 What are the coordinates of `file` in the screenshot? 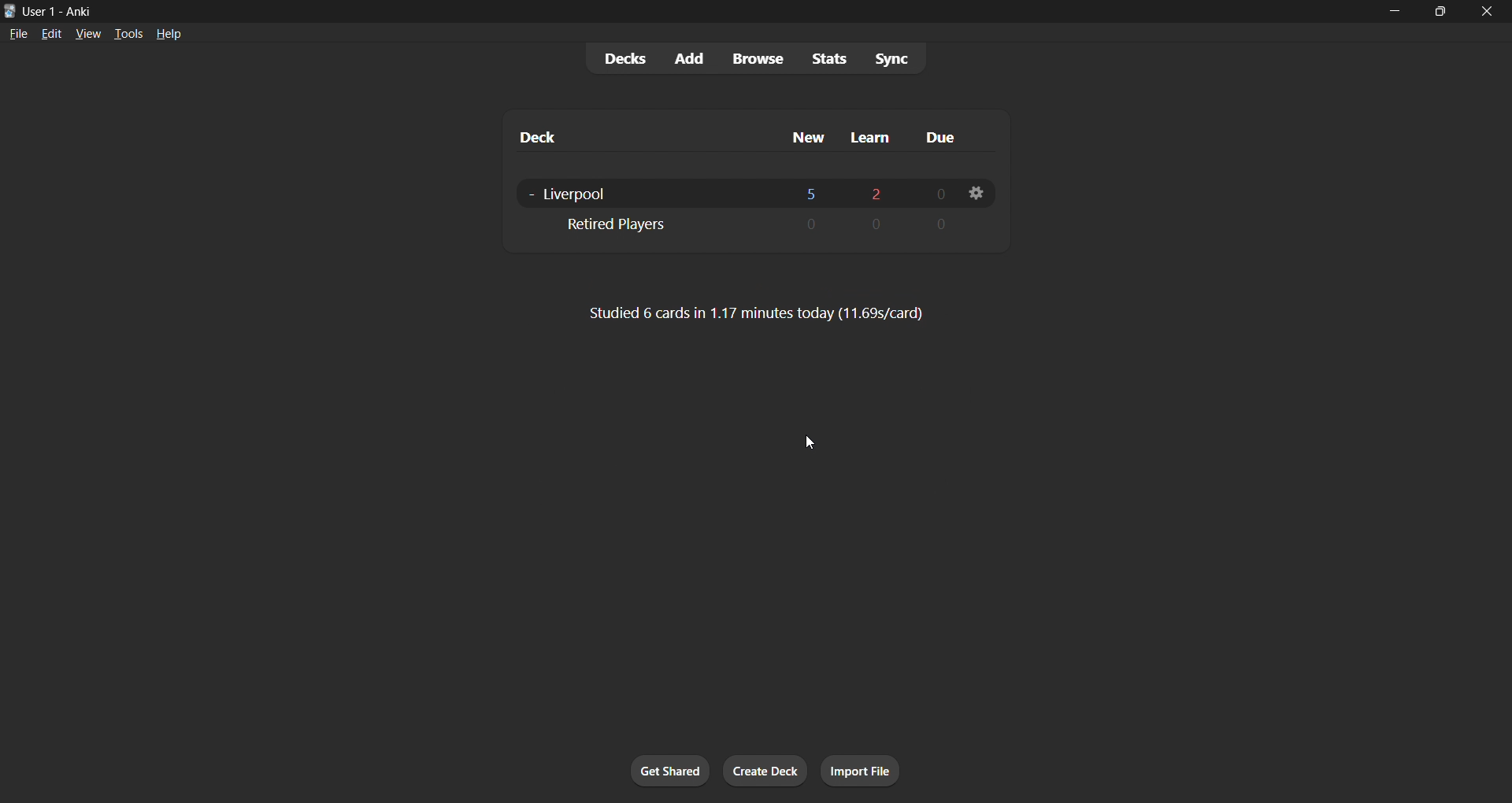 It's located at (14, 37).